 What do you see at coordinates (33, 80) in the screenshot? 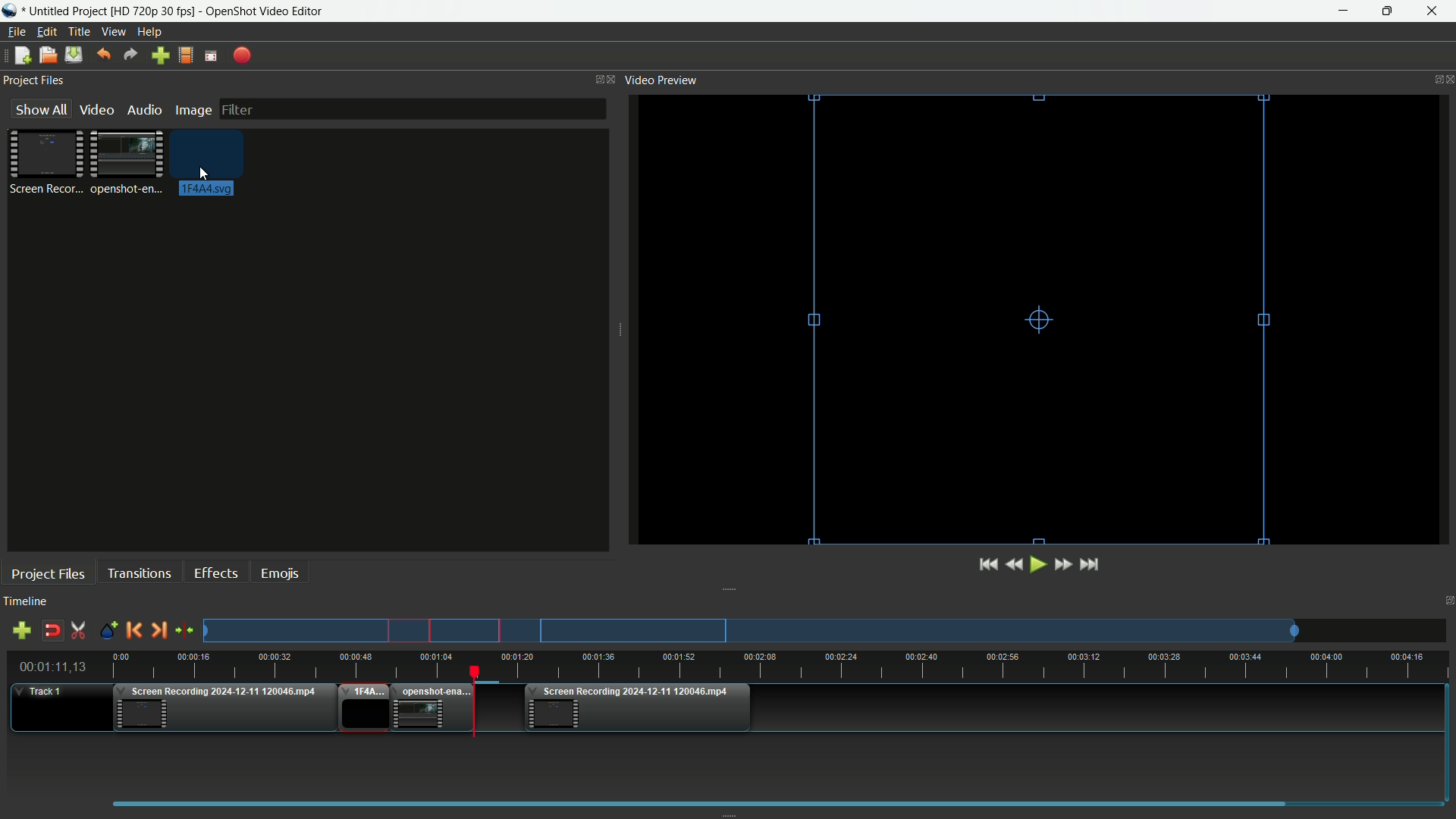
I see `Project files` at bounding box center [33, 80].